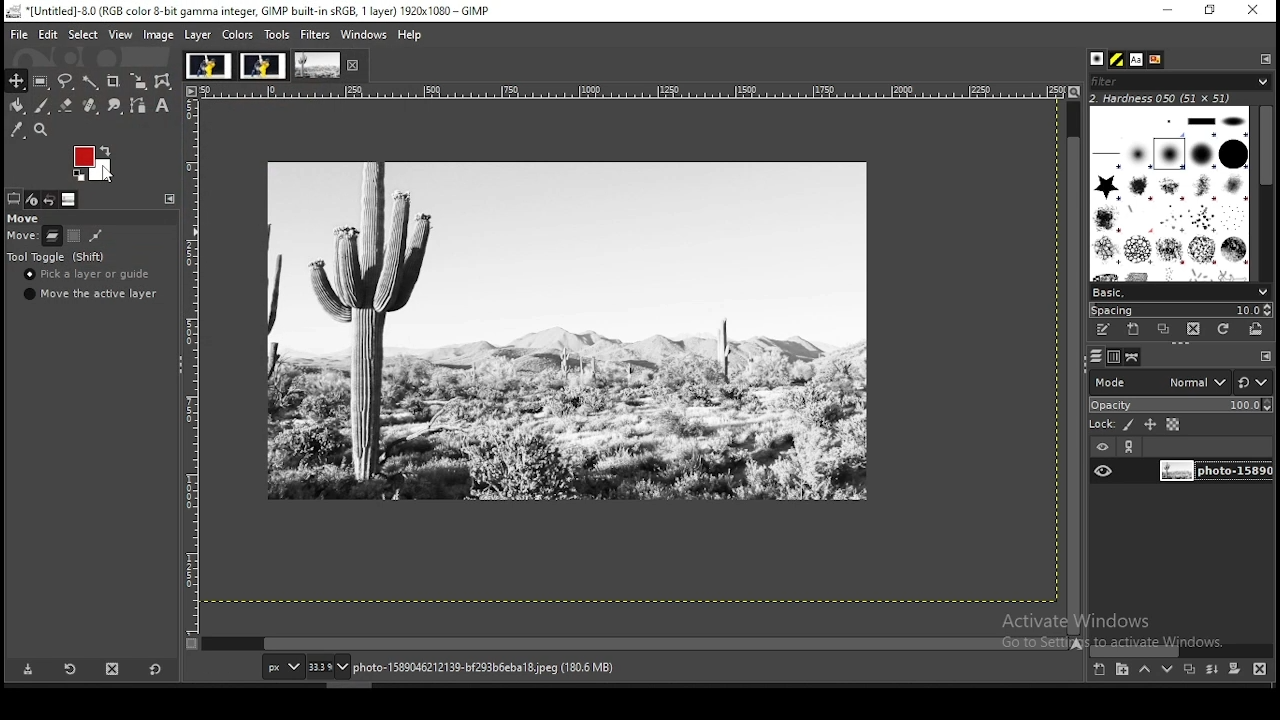 This screenshot has width=1280, height=720. What do you see at coordinates (1116, 357) in the screenshot?
I see `channels` at bounding box center [1116, 357].